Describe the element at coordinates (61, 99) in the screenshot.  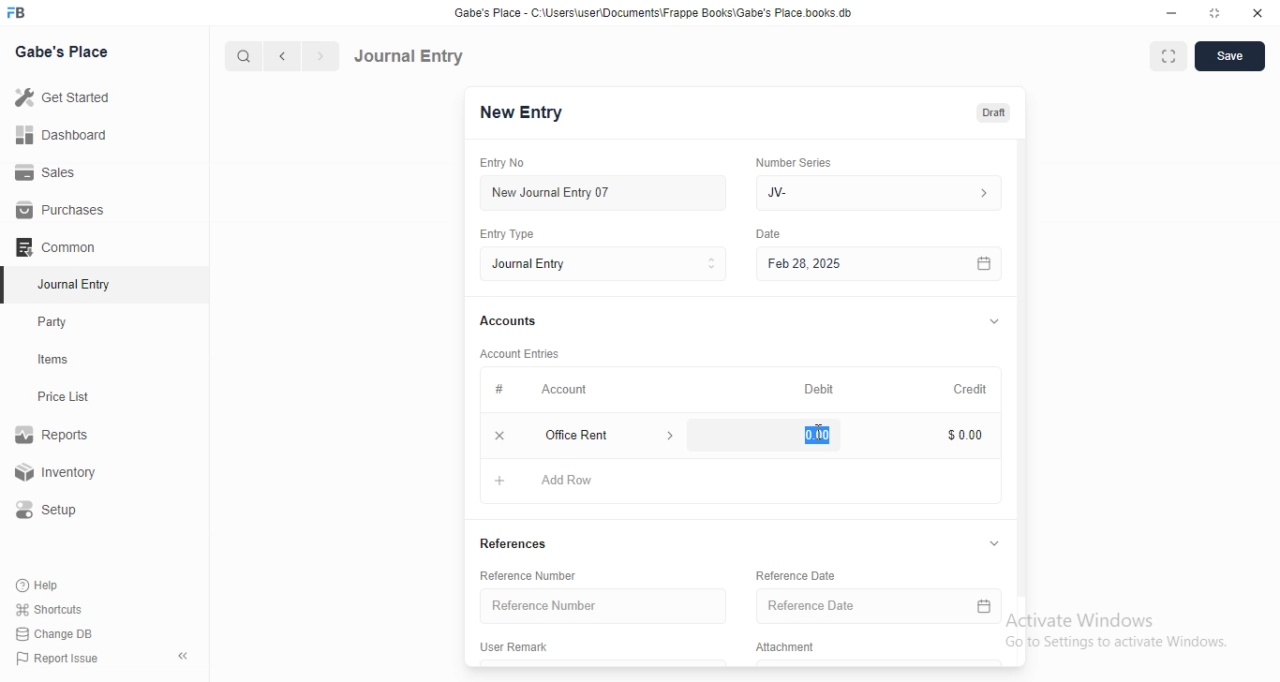
I see `Get Started` at that location.